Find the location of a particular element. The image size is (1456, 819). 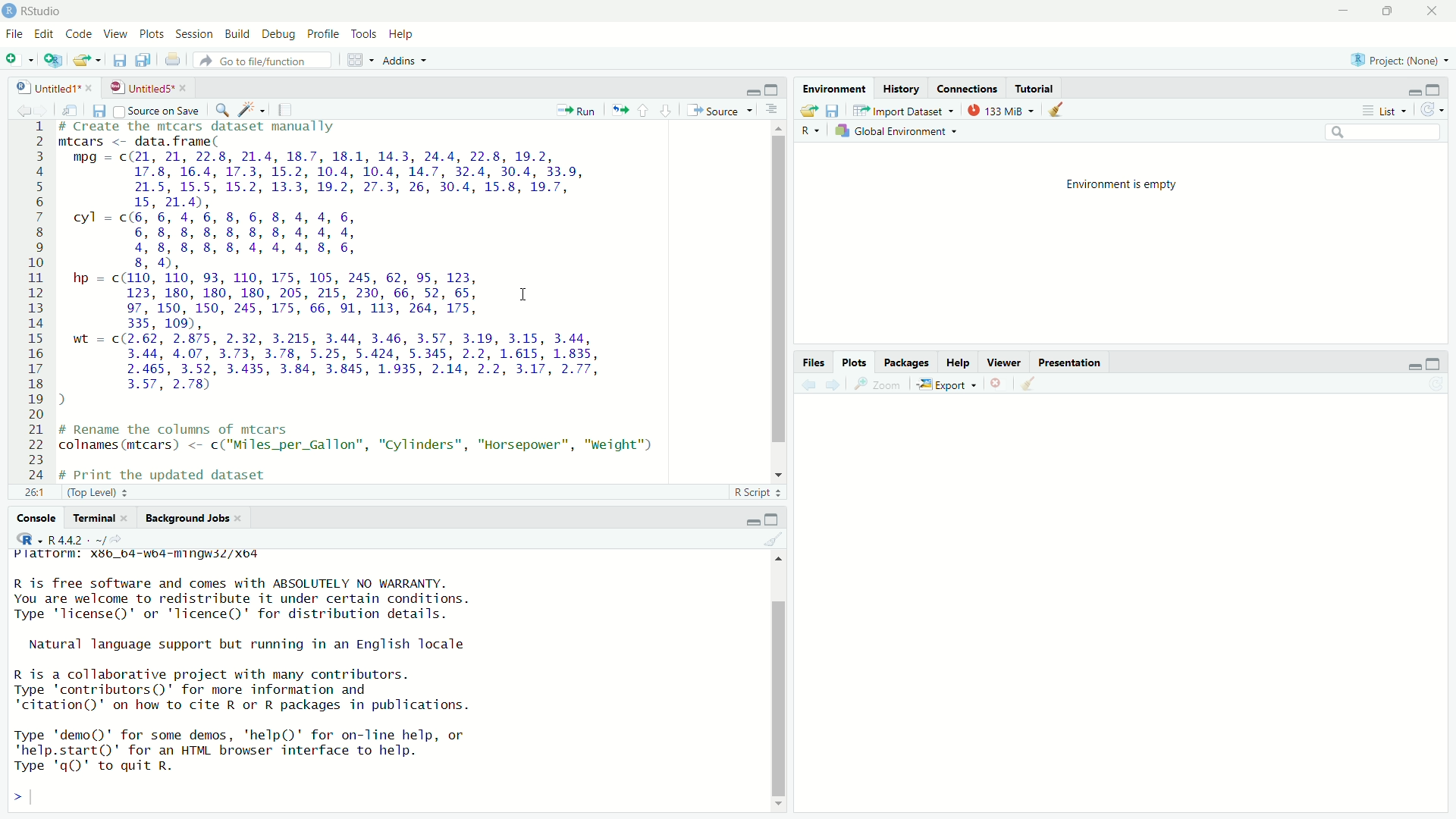

export is located at coordinates (86, 63).